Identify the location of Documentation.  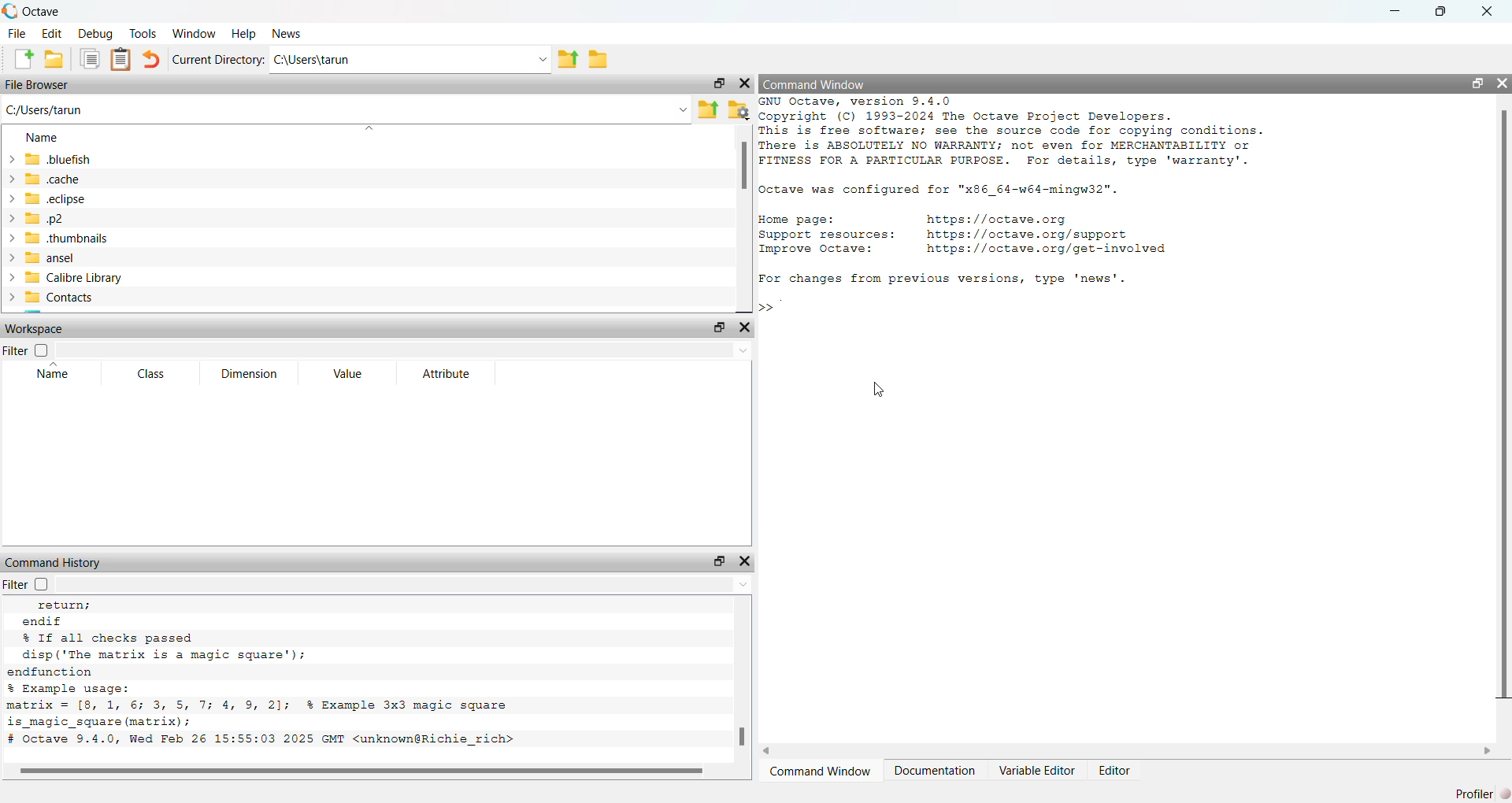
(936, 771).